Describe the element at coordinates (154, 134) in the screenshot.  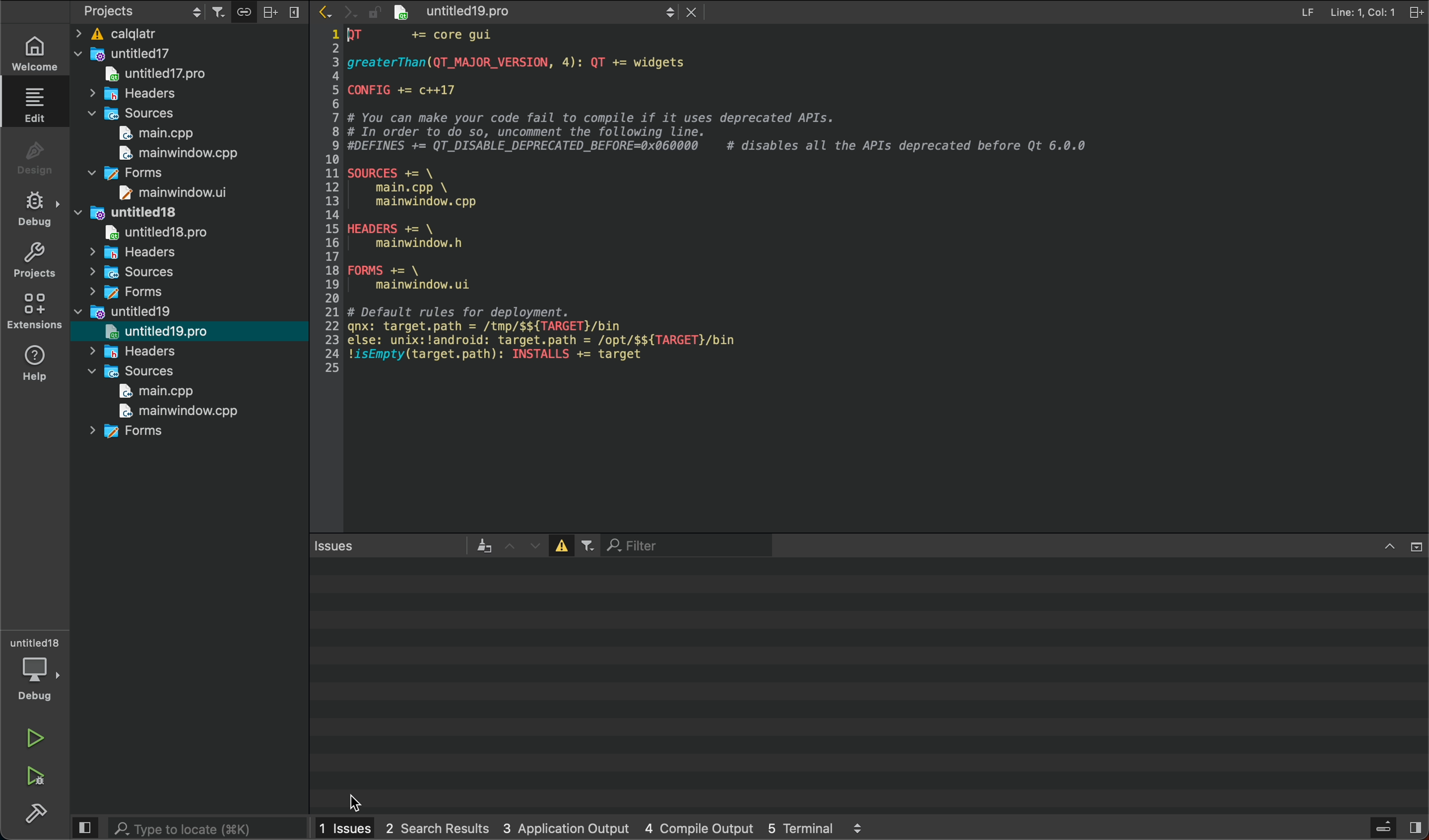
I see `main.cpp` at that location.